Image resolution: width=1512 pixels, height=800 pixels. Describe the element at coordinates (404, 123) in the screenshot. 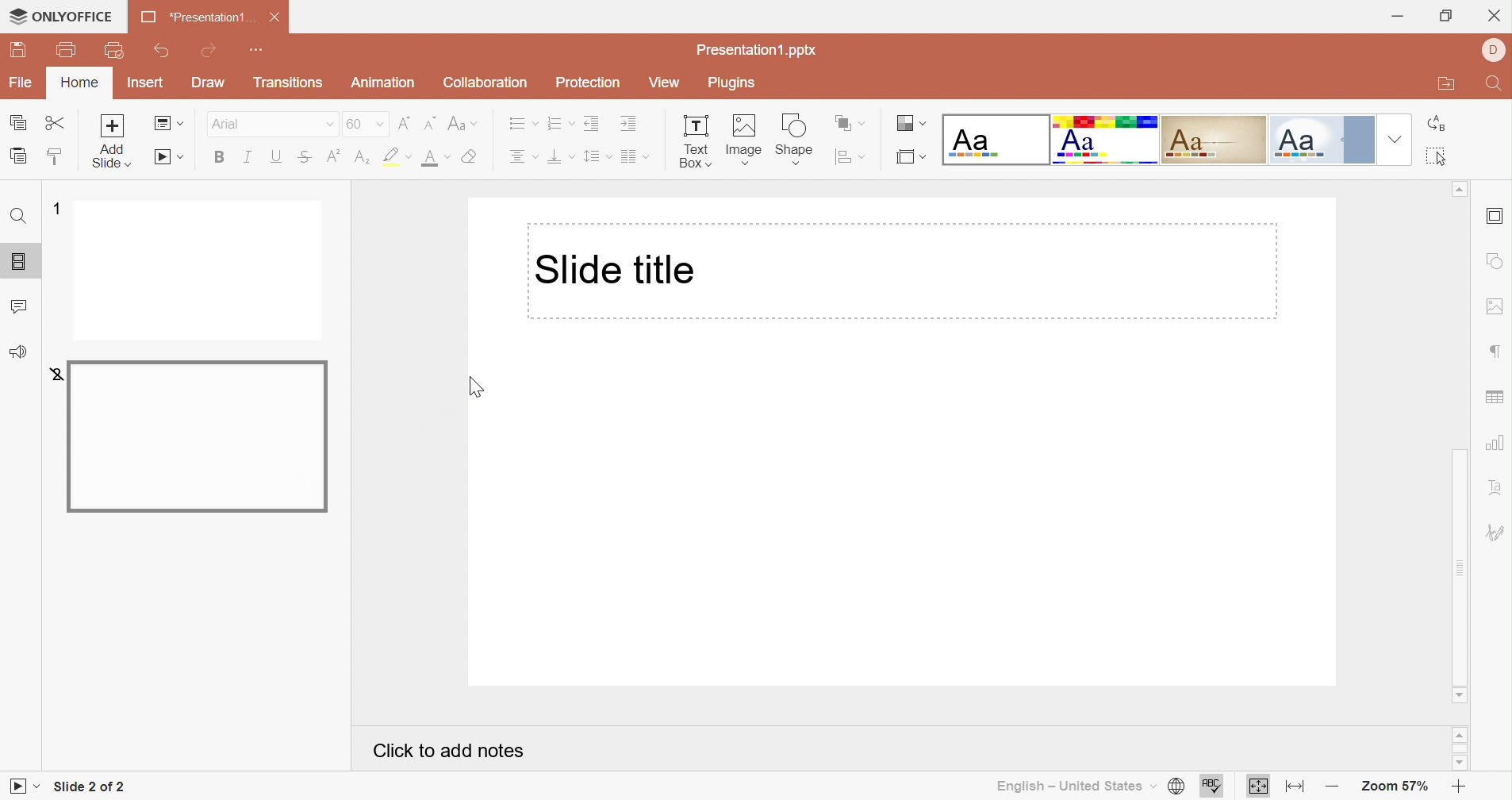

I see `Increment font size` at that location.